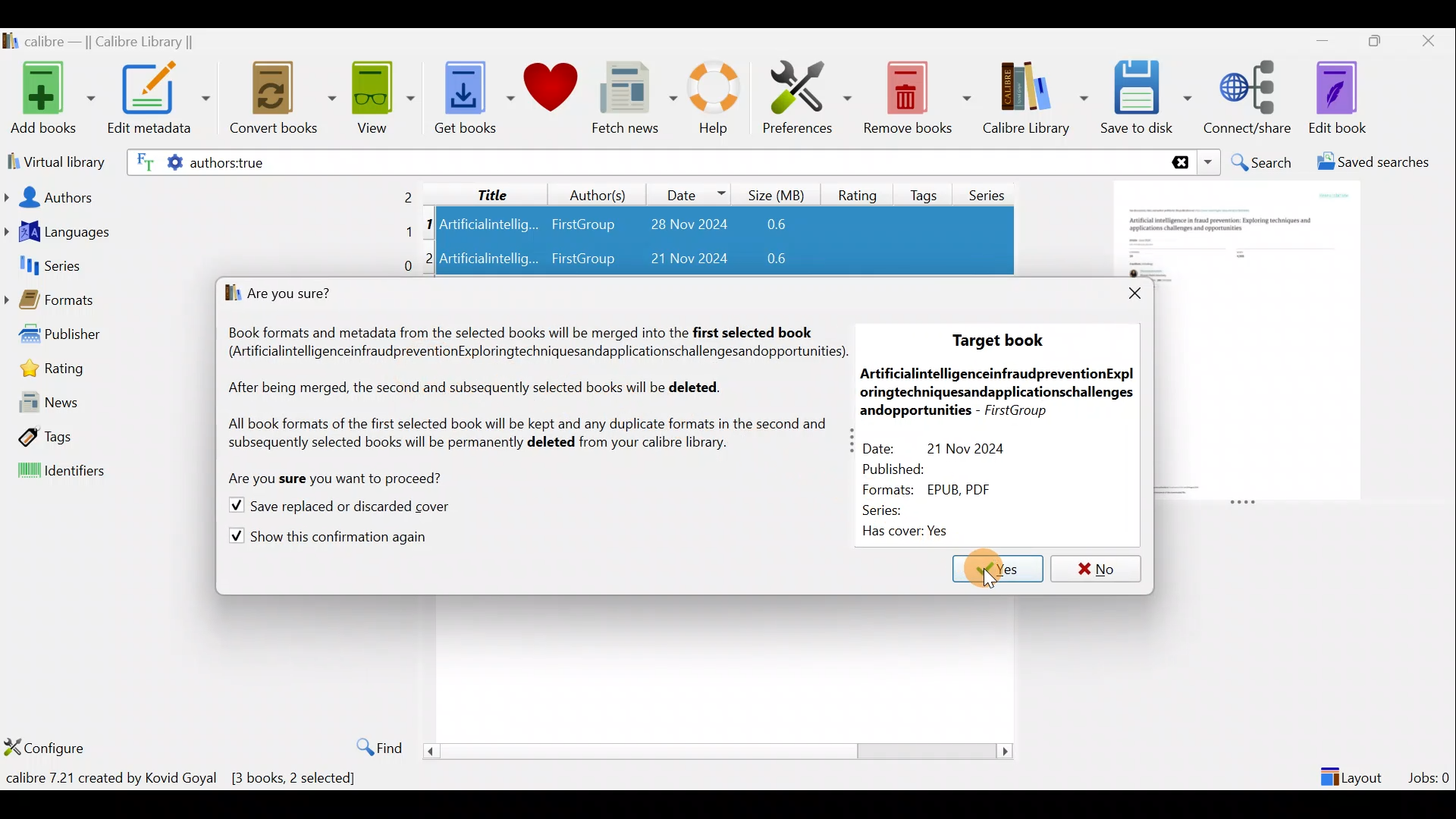  What do you see at coordinates (711, 100) in the screenshot?
I see `Help` at bounding box center [711, 100].